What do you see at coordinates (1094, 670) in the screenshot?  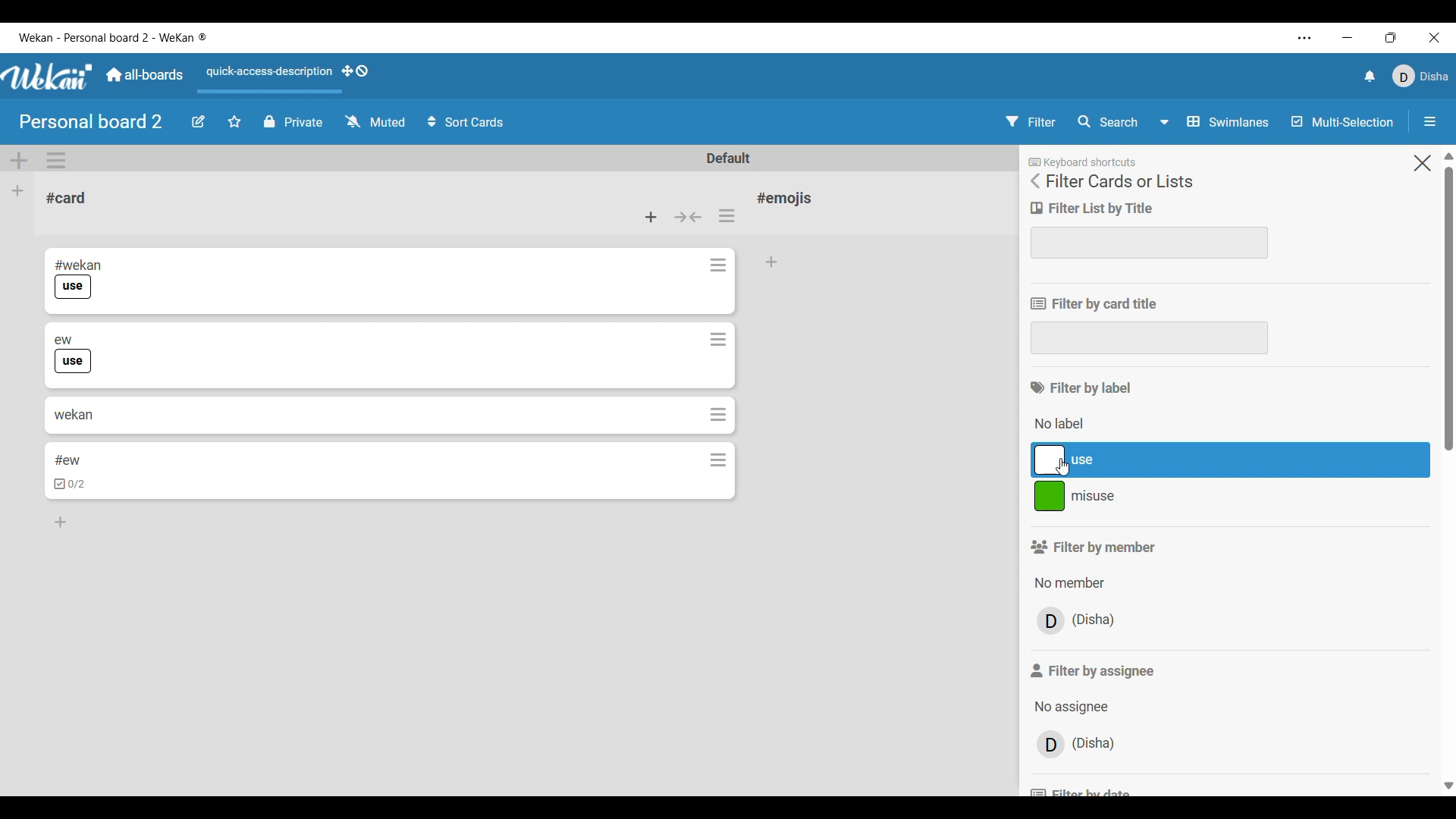 I see `Section title` at bounding box center [1094, 670].